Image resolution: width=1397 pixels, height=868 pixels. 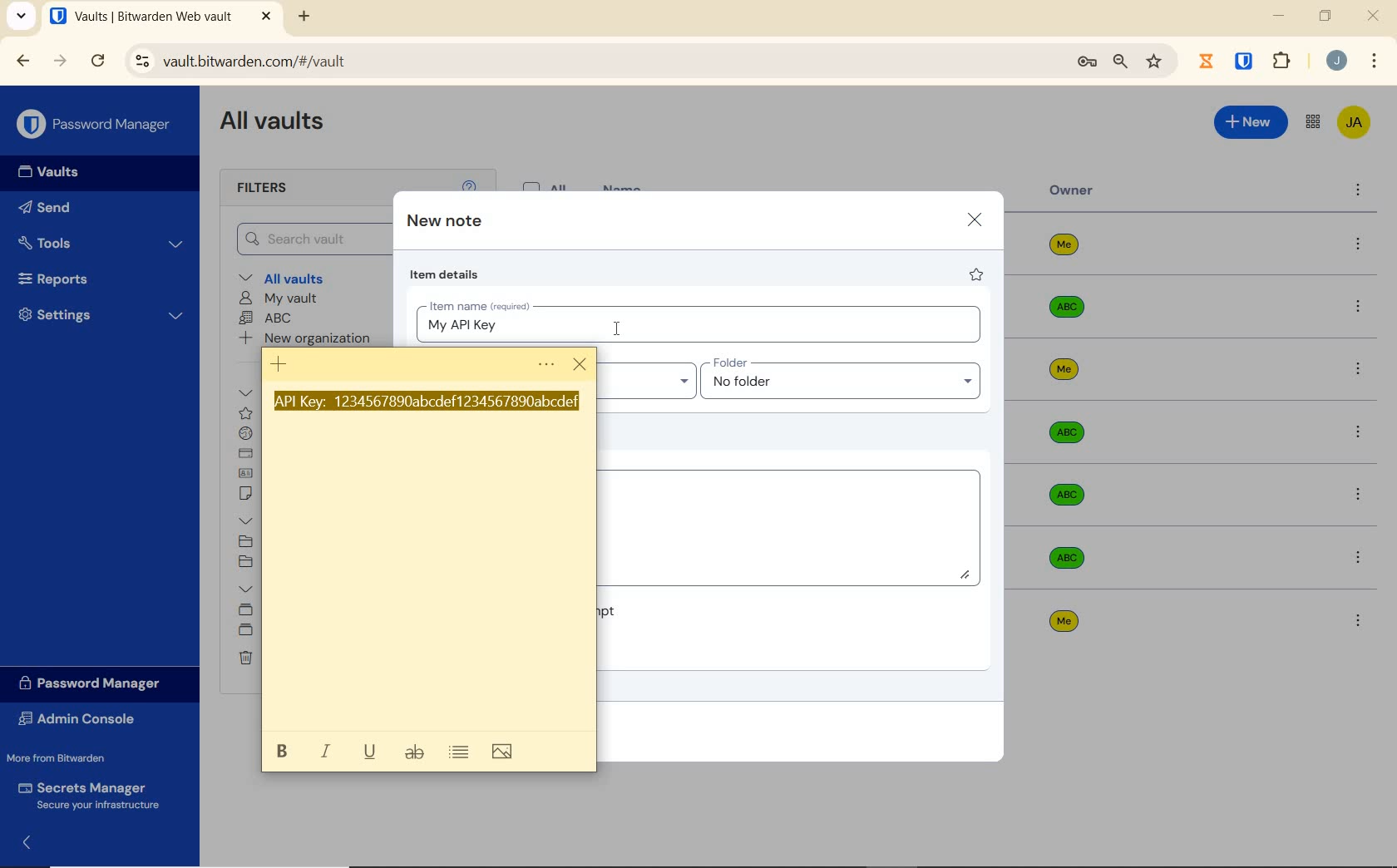 What do you see at coordinates (371, 750) in the screenshot?
I see `underline` at bounding box center [371, 750].